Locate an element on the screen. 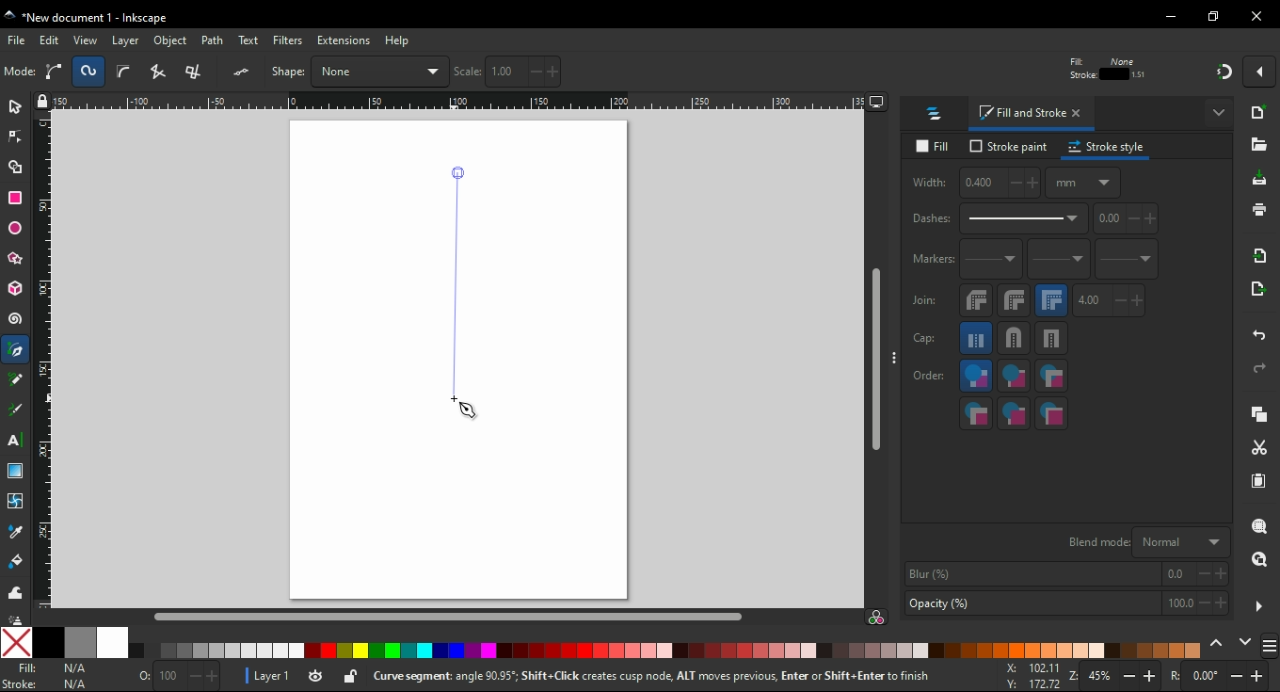  scroll bar is located at coordinates (877, 360).